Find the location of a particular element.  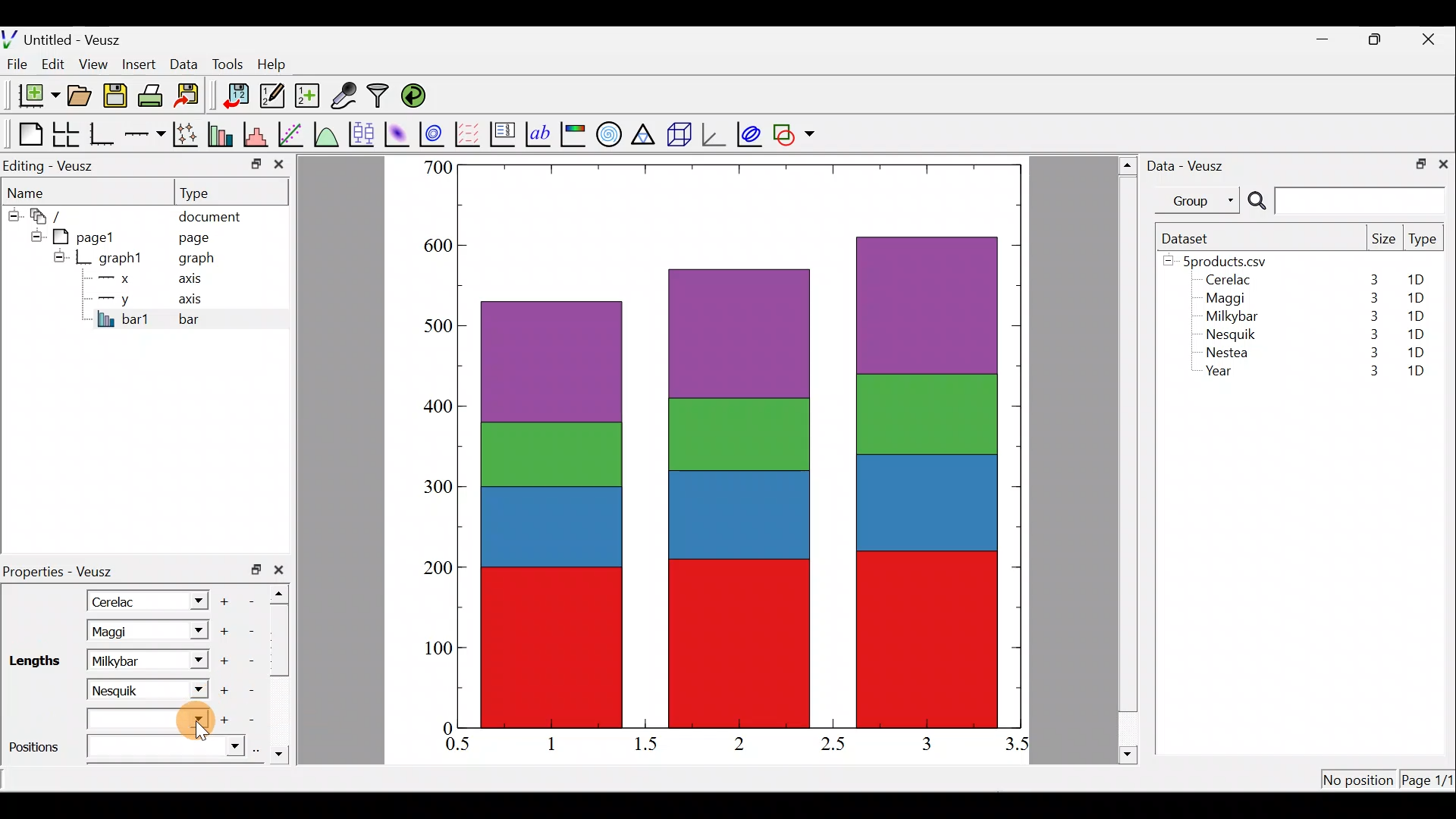

Page 1/11 is located at coordinates (1429, 783).